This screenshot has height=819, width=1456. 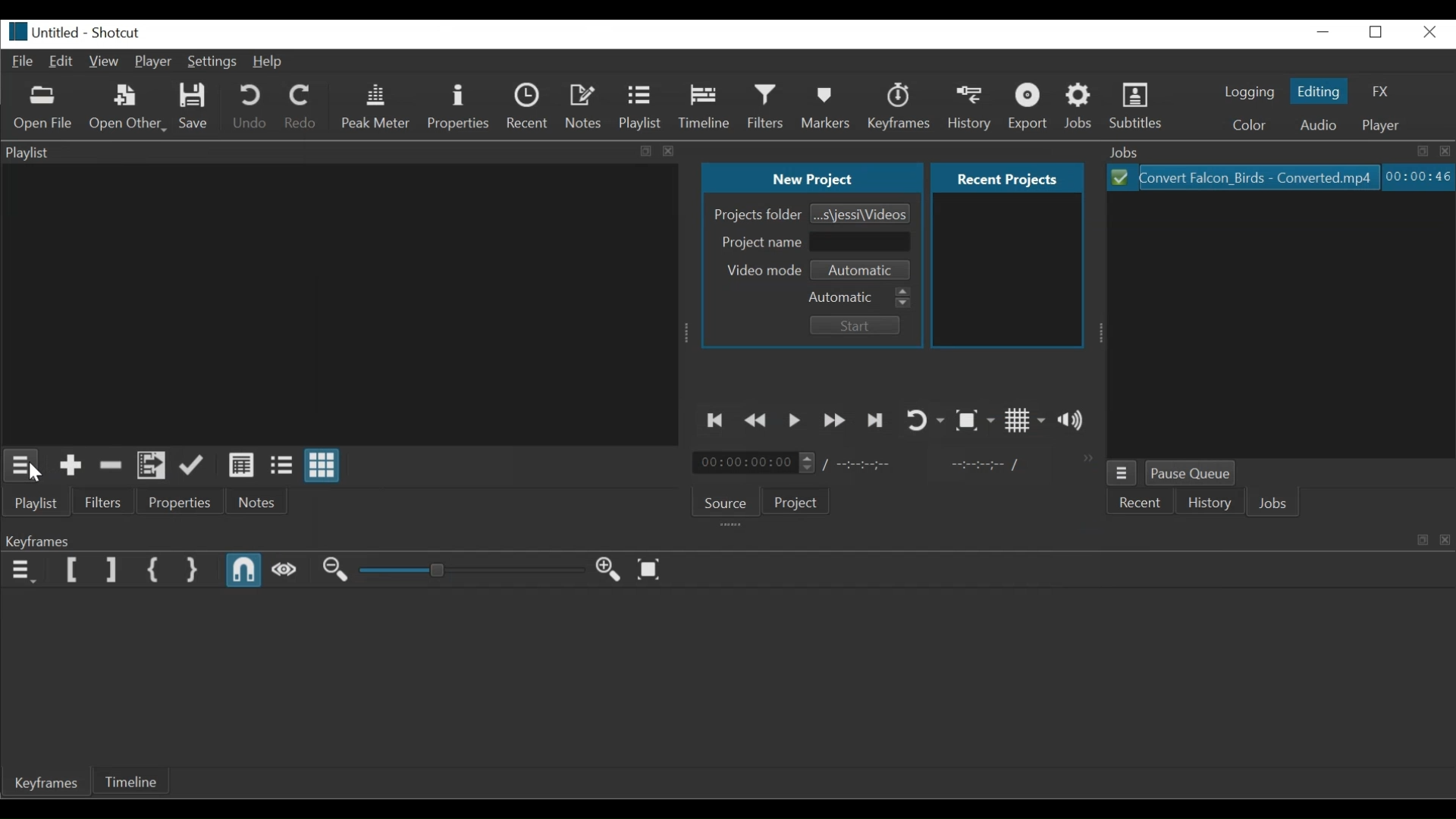 I want to click on Show the volume control, so click(x=1071, y=421).